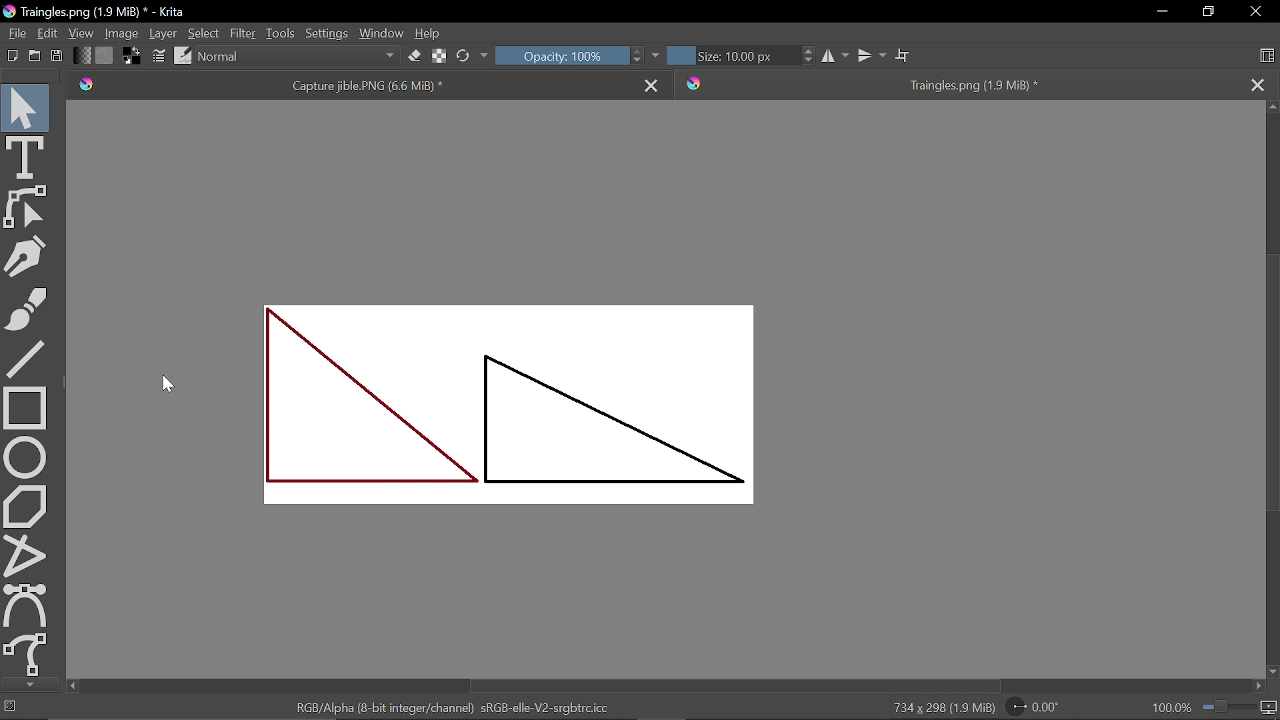 This screenshot has width=1280, height=720. I want to click on File, so click(18, 32).